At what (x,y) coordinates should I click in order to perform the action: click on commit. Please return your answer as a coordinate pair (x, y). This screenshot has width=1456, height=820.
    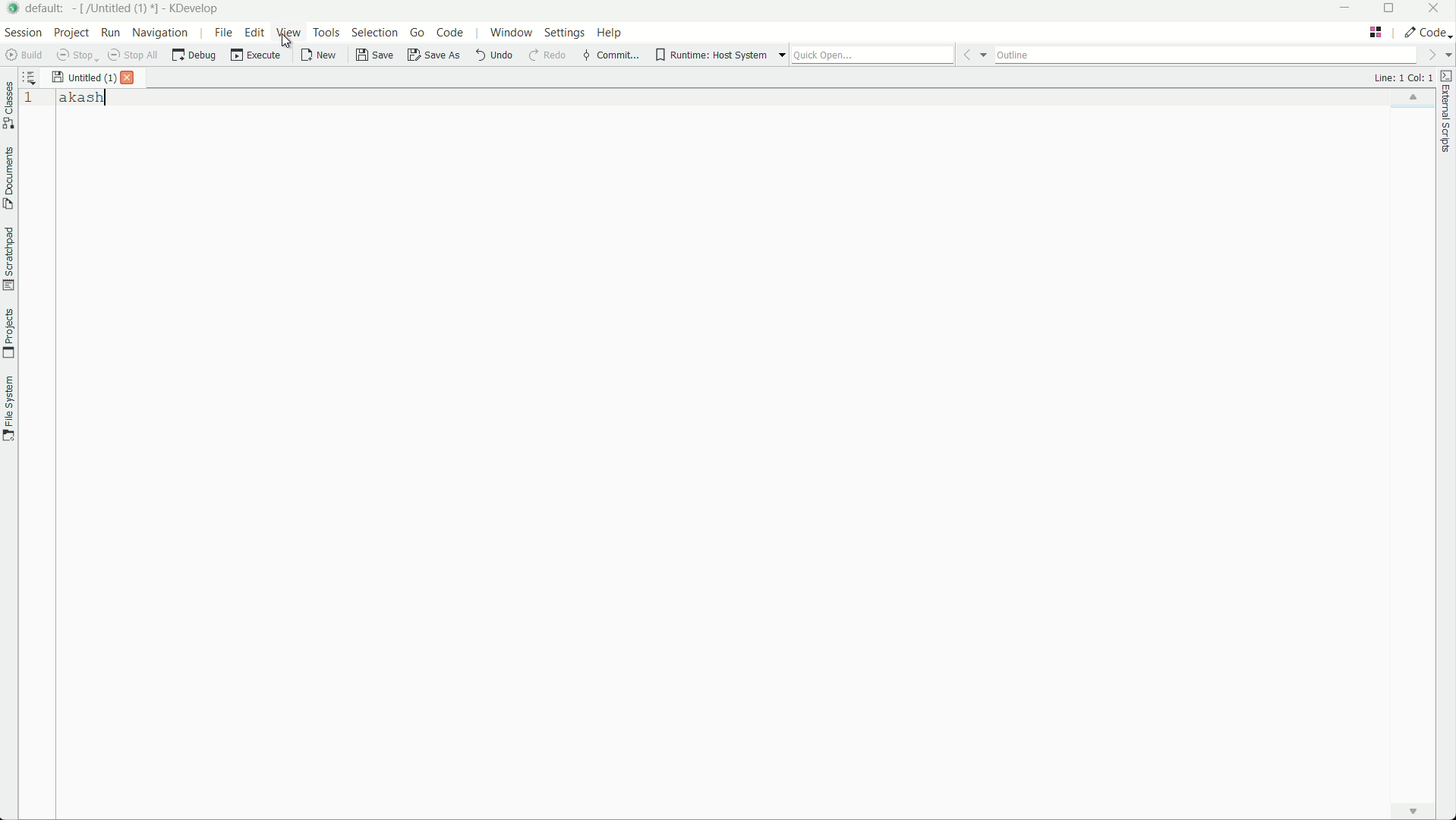
    Looking at the image, I should click on (612, 55).